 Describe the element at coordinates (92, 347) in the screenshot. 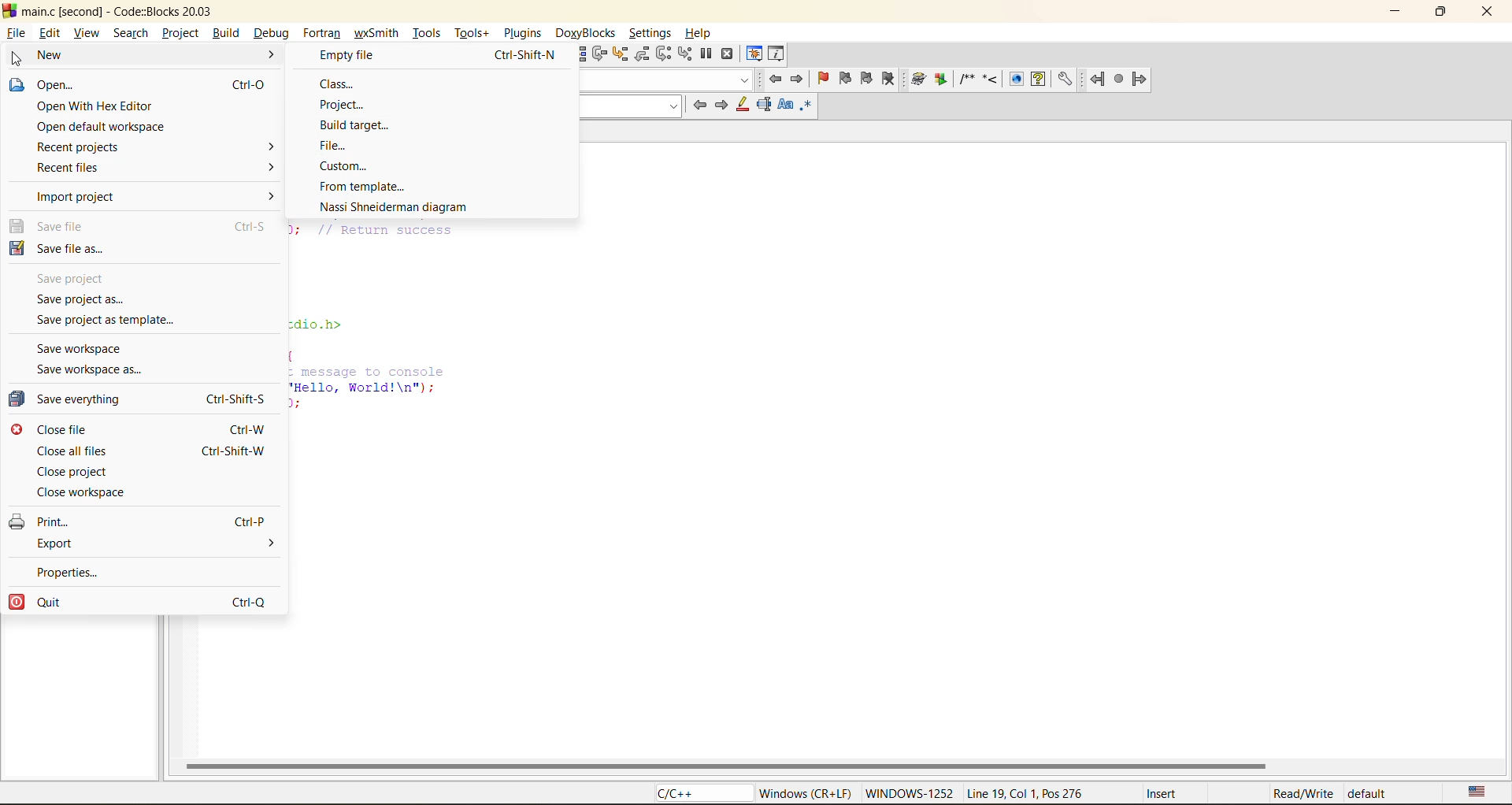

I see `save workspace` at that location.